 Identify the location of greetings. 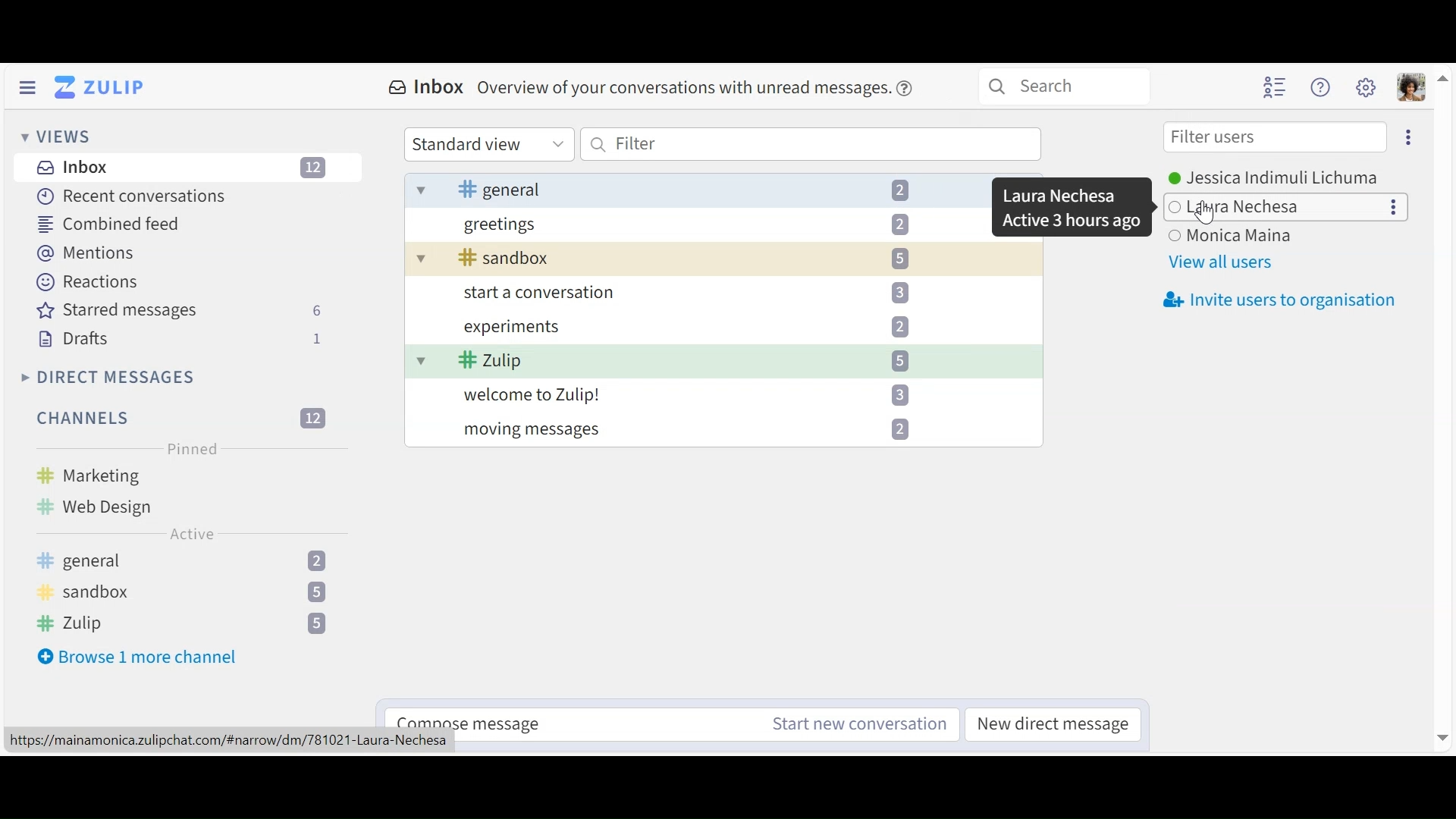
(692, 223).